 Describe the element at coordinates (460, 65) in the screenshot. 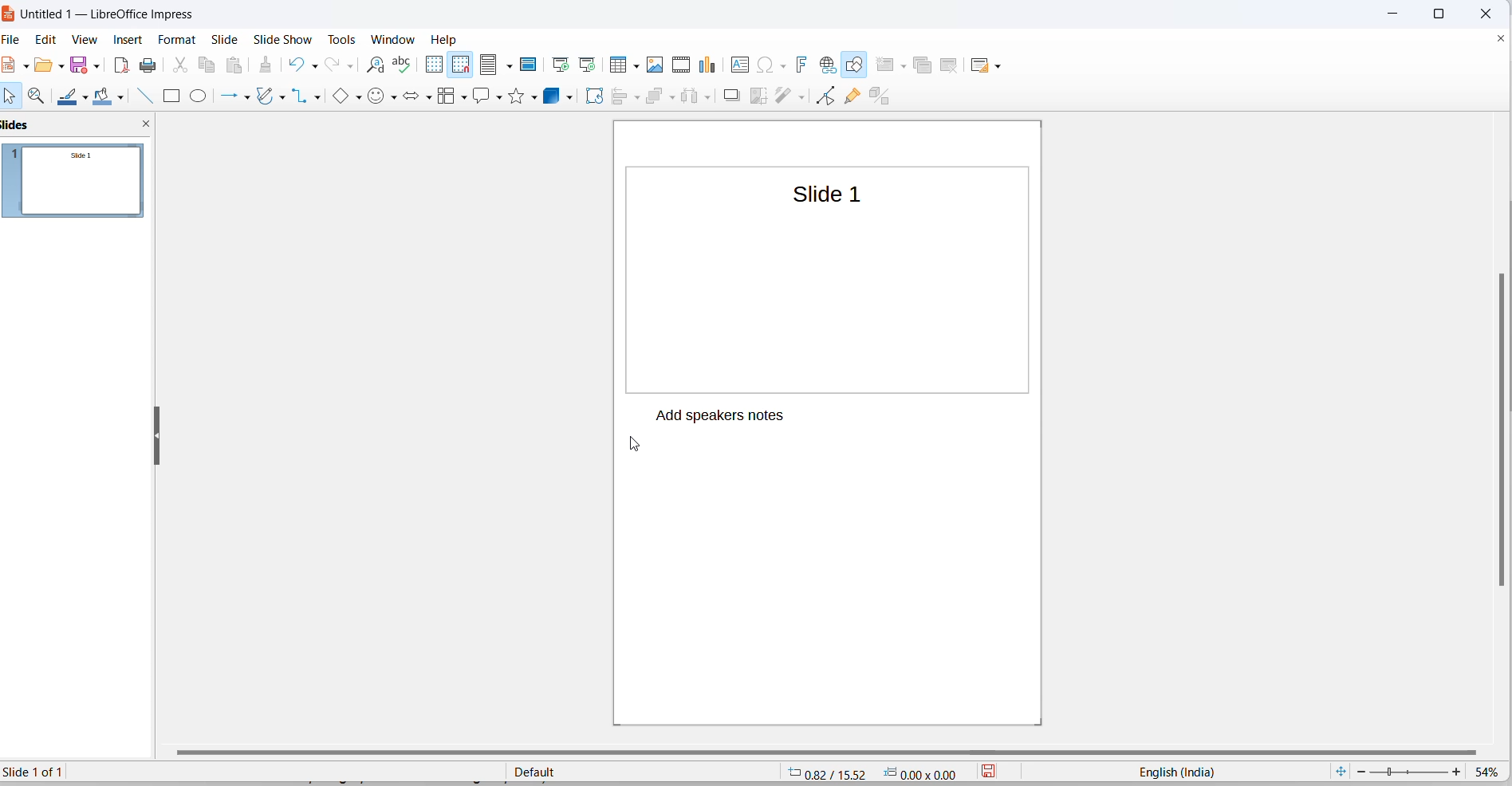

I see `snap to grid` at that location.